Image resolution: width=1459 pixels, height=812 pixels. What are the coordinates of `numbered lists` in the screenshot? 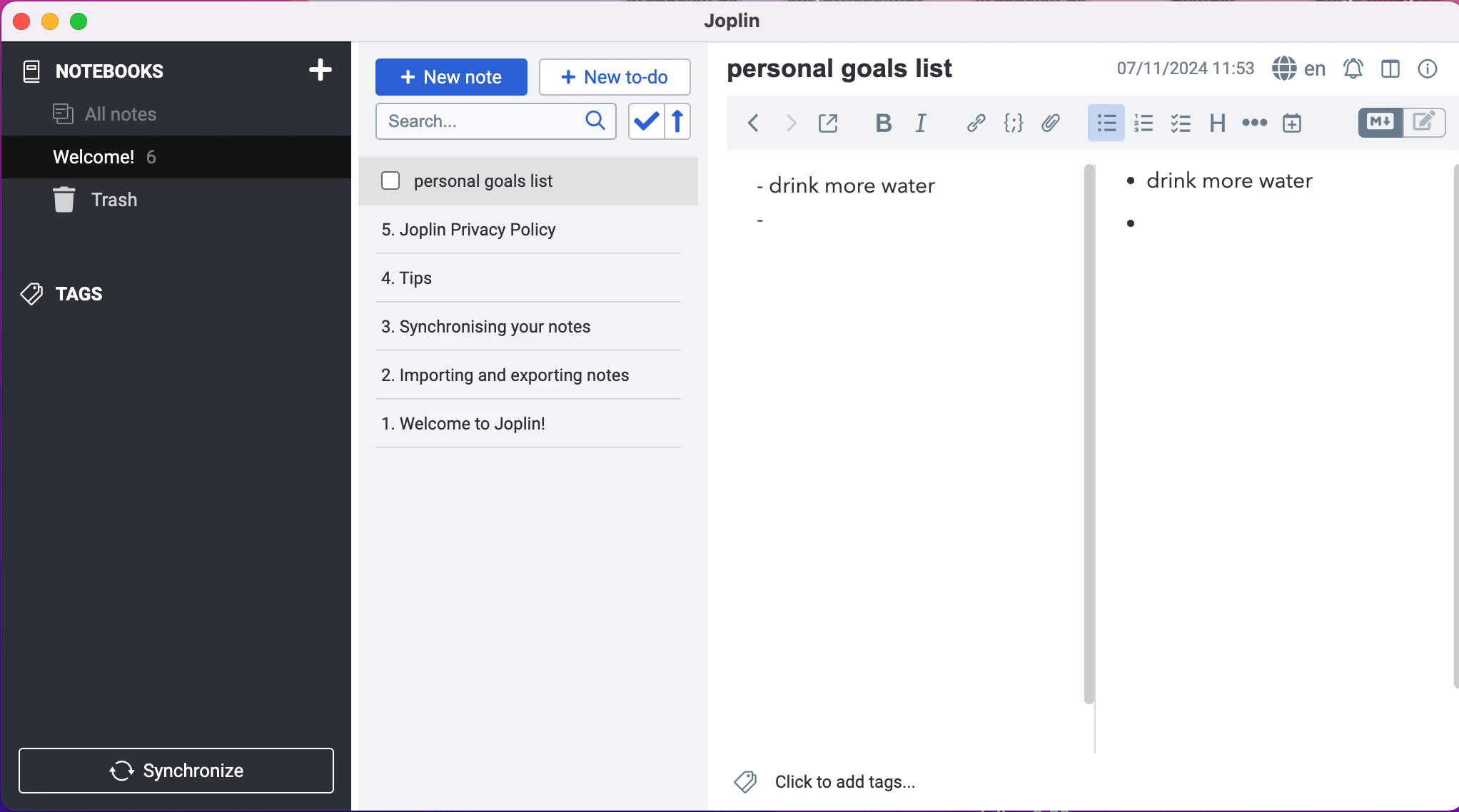 It's located at (1144, 126).